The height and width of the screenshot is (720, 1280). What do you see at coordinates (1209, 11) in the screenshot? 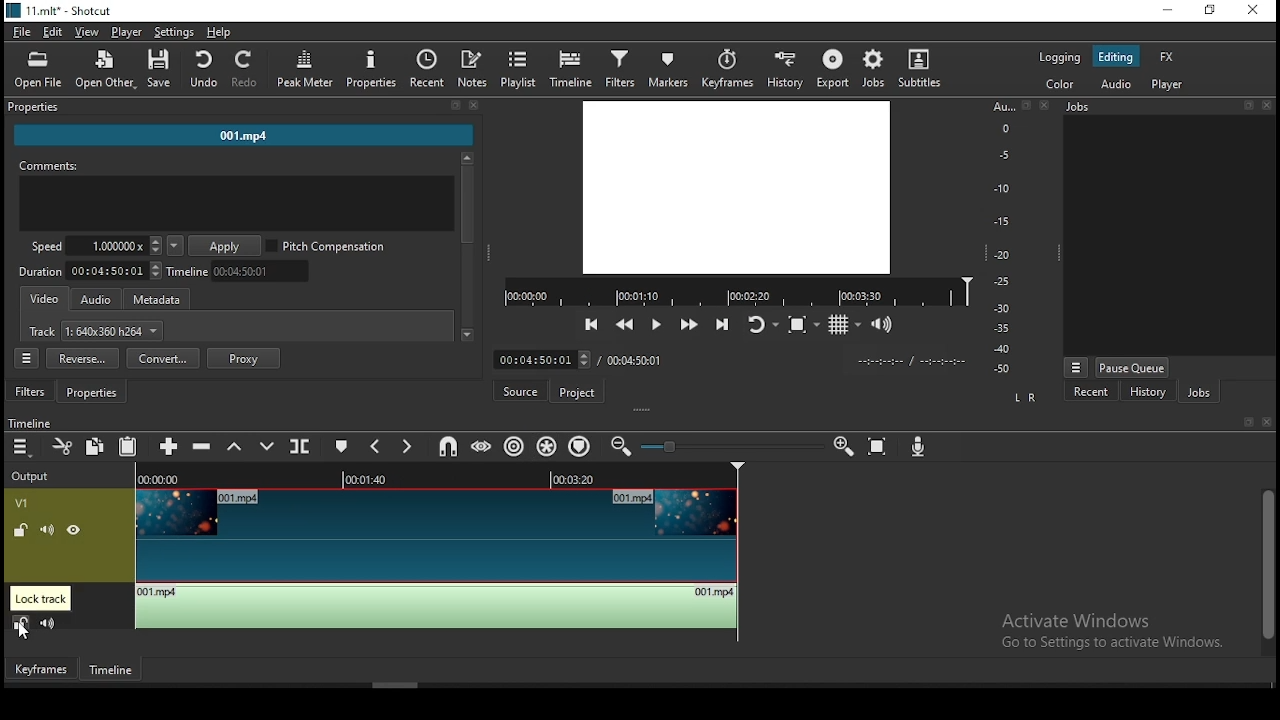
I see `restore` at bounding box center [1209, 11].